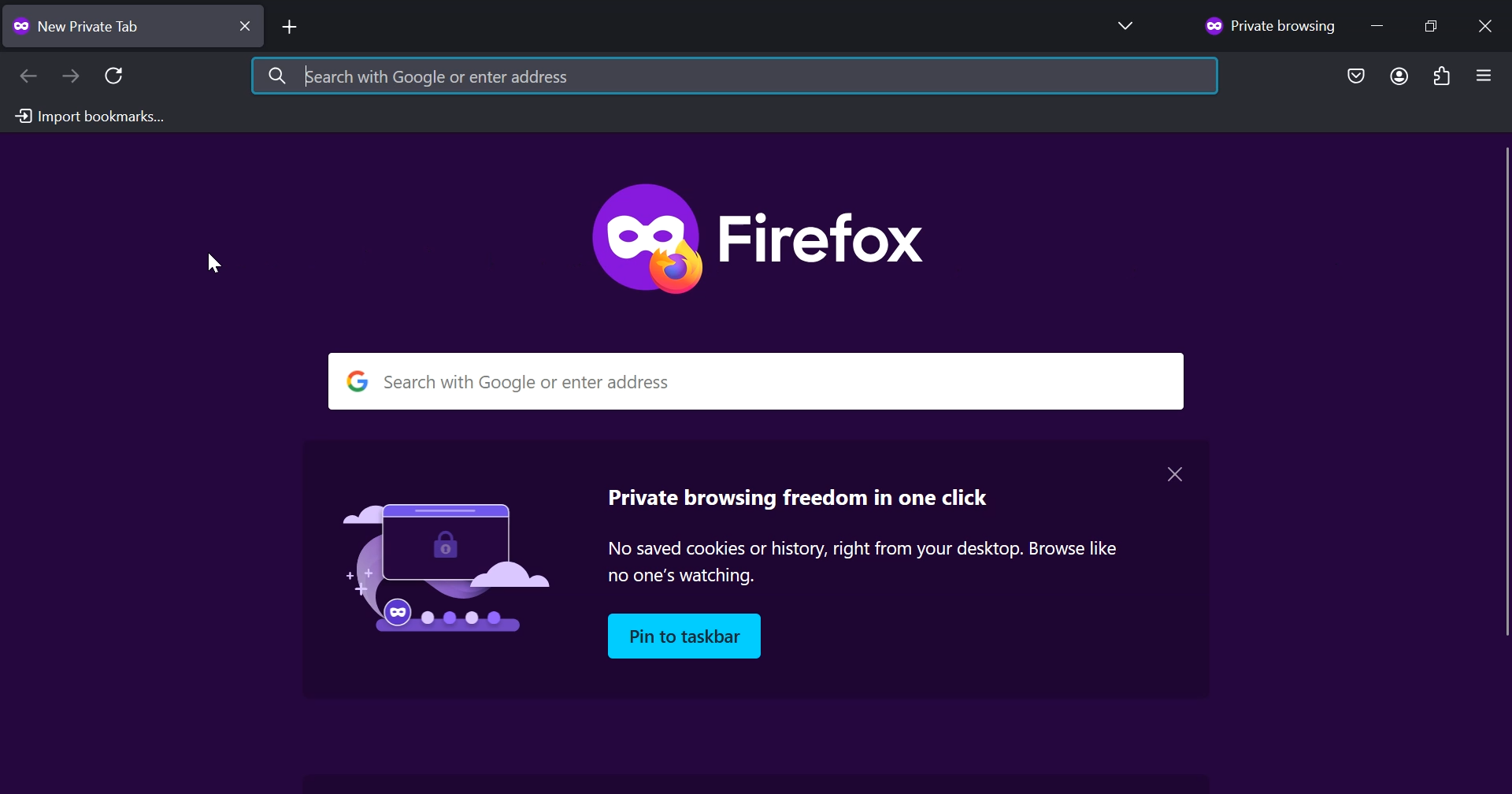  What do you see at coordinates (1266, 27) in the screenshot?
I see `Private browsing` at bounding box center [1266, 27].